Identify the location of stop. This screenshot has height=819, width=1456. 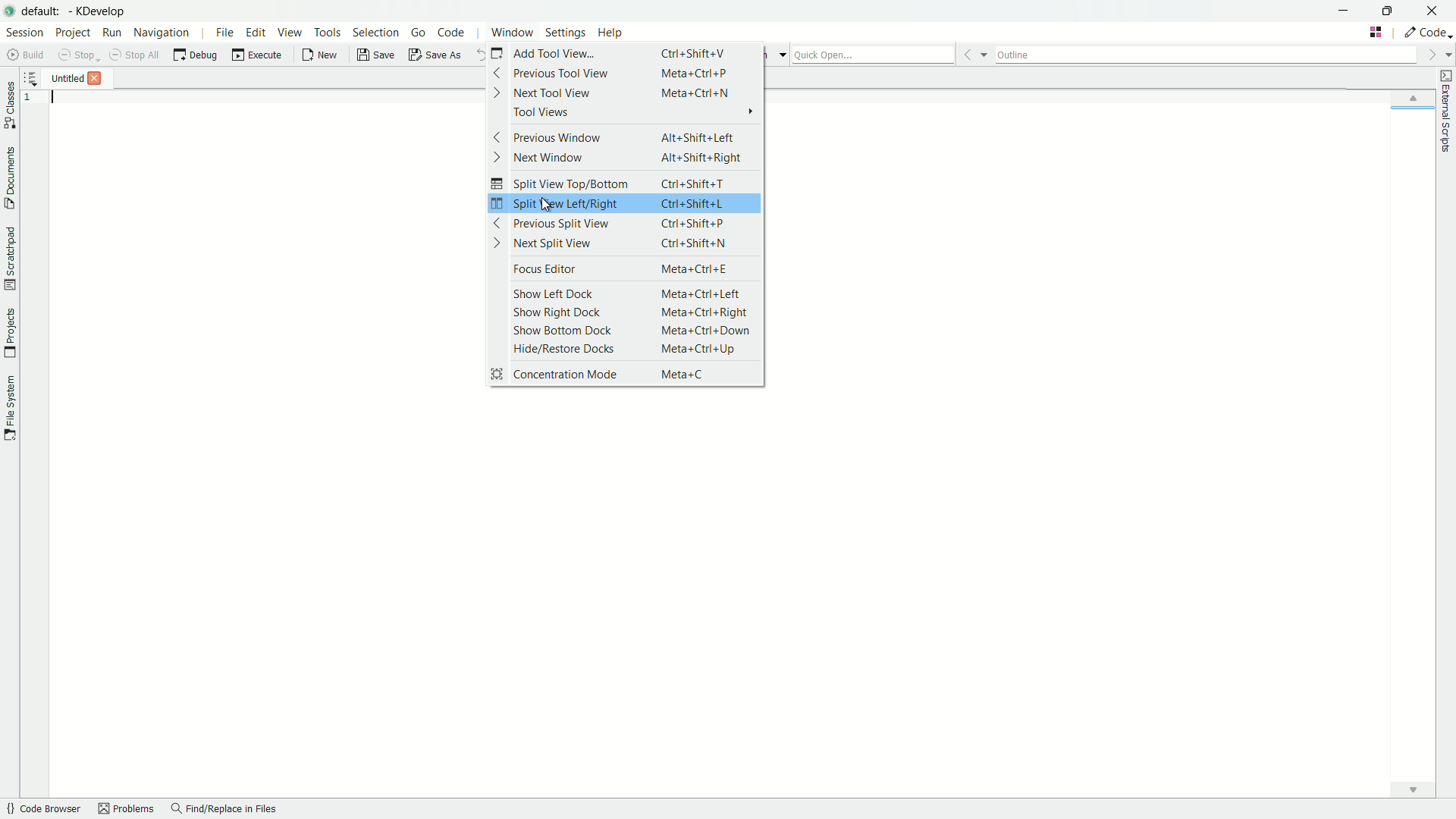
(77, 54).